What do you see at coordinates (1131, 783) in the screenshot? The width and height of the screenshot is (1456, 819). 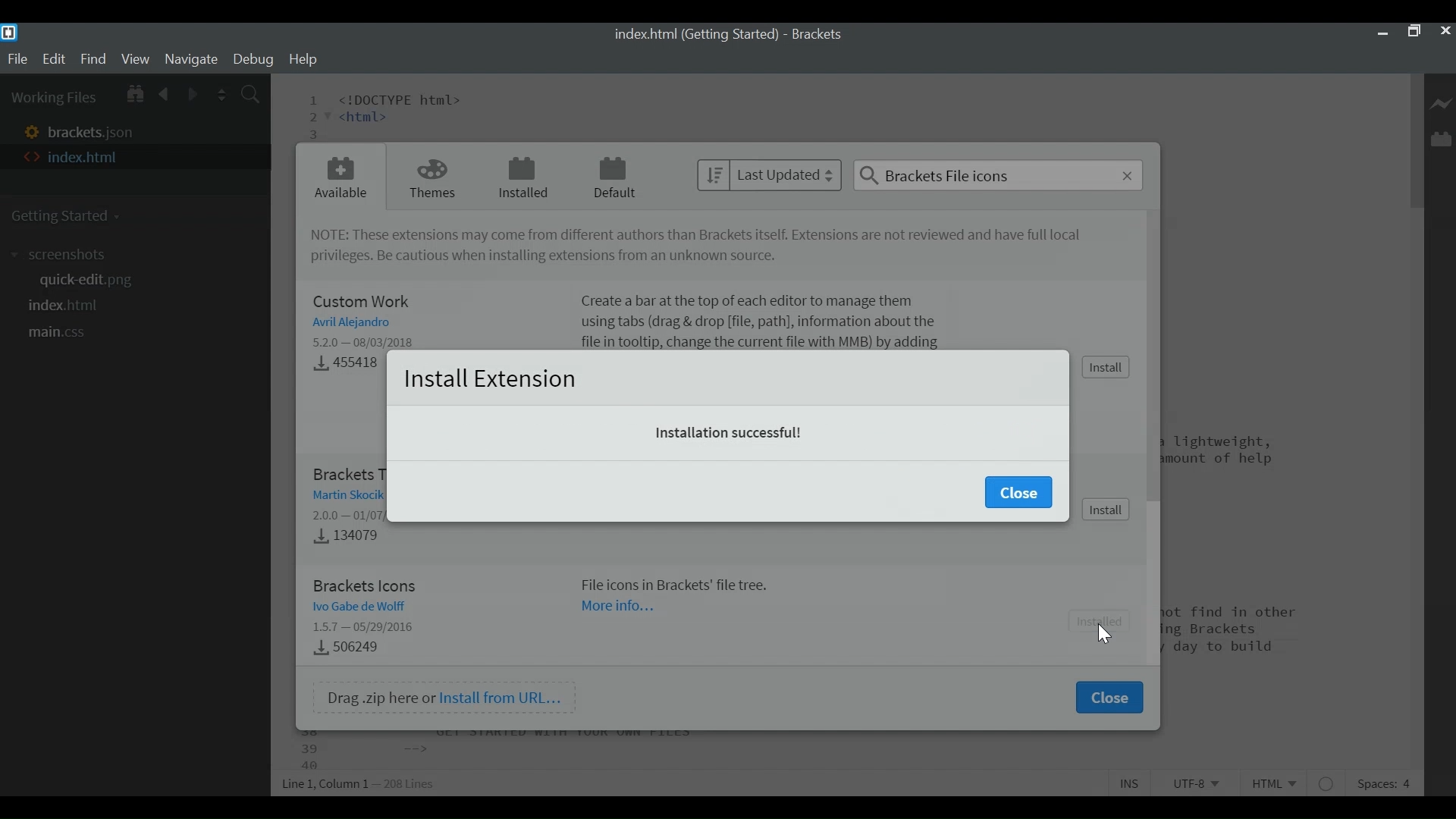 I see `Toggle Insert or Overwrite` at bounding box center [1131, 783].